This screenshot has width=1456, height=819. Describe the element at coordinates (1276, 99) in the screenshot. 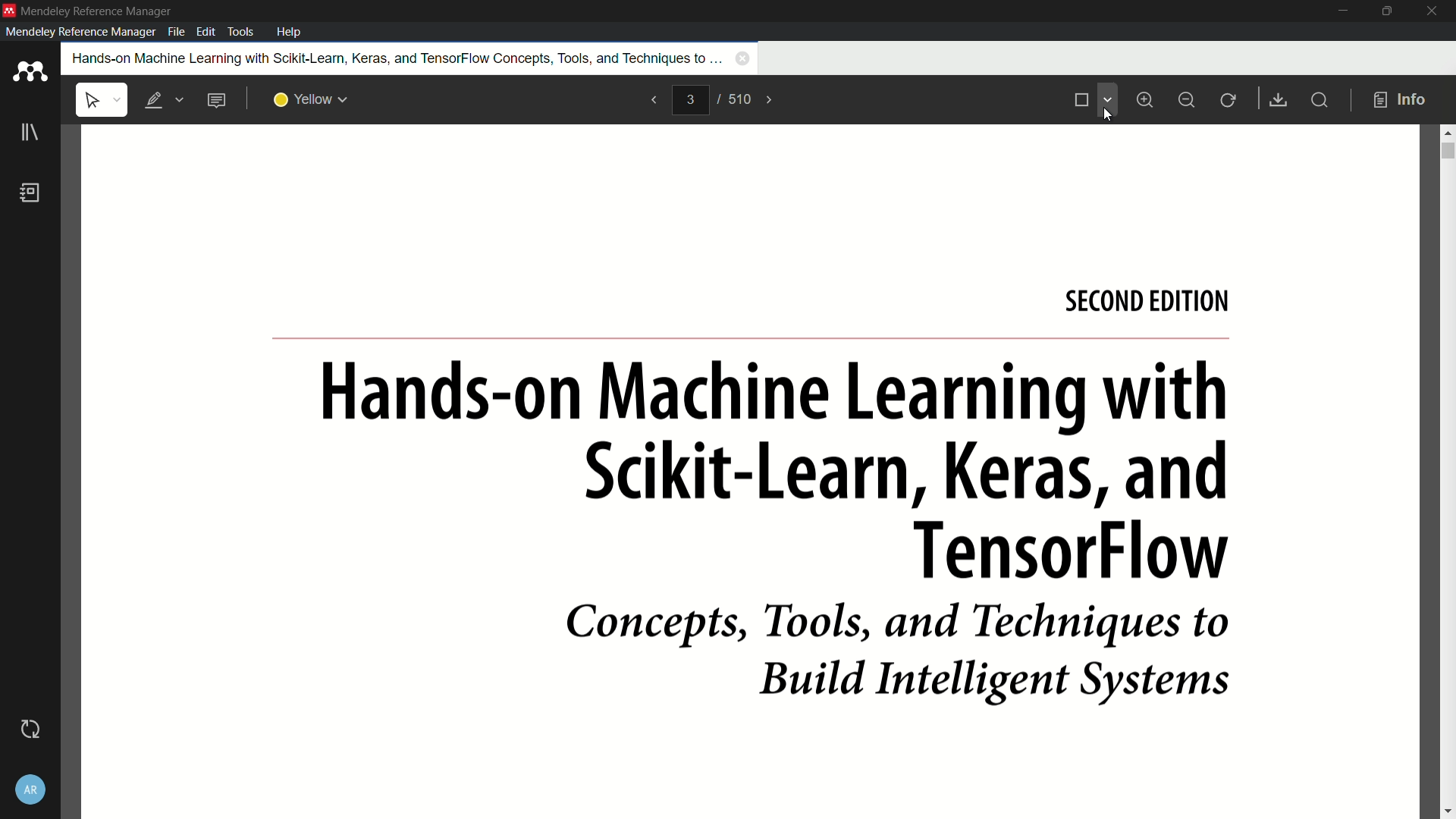

I see `save` at that location.